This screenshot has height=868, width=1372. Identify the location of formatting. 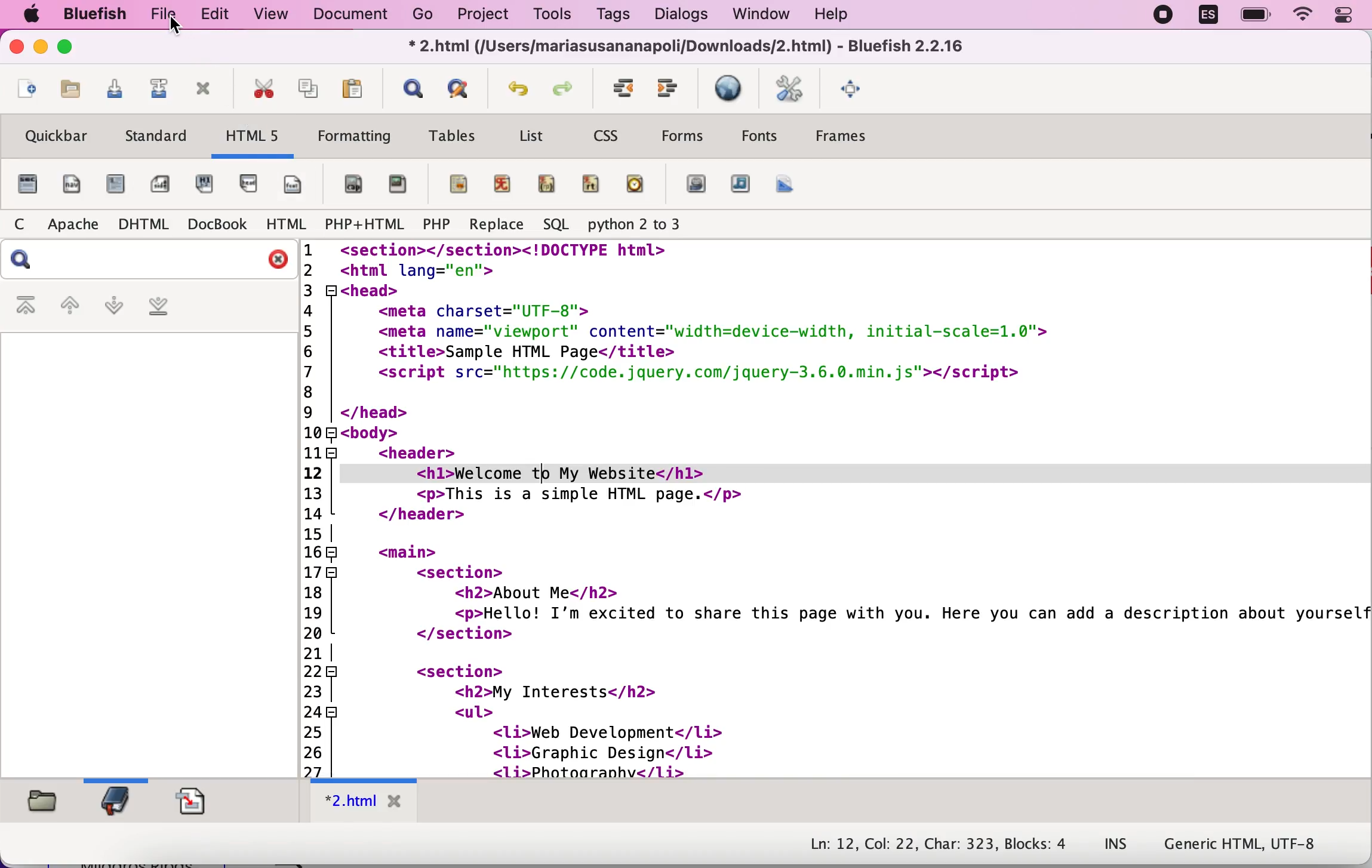
(355, 139).